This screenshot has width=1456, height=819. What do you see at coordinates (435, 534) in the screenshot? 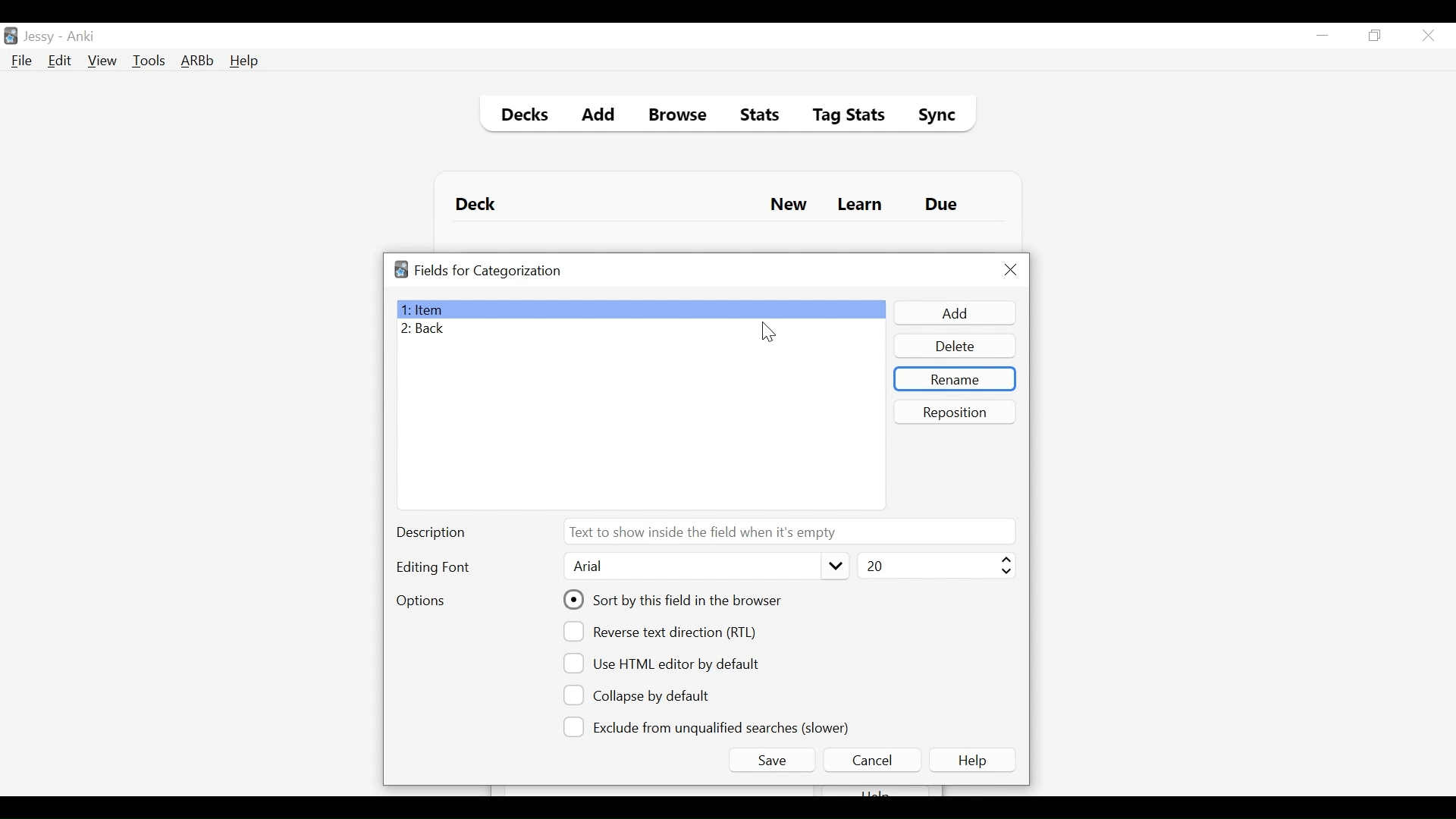
I see `Description` at bounding box center [435, 534].